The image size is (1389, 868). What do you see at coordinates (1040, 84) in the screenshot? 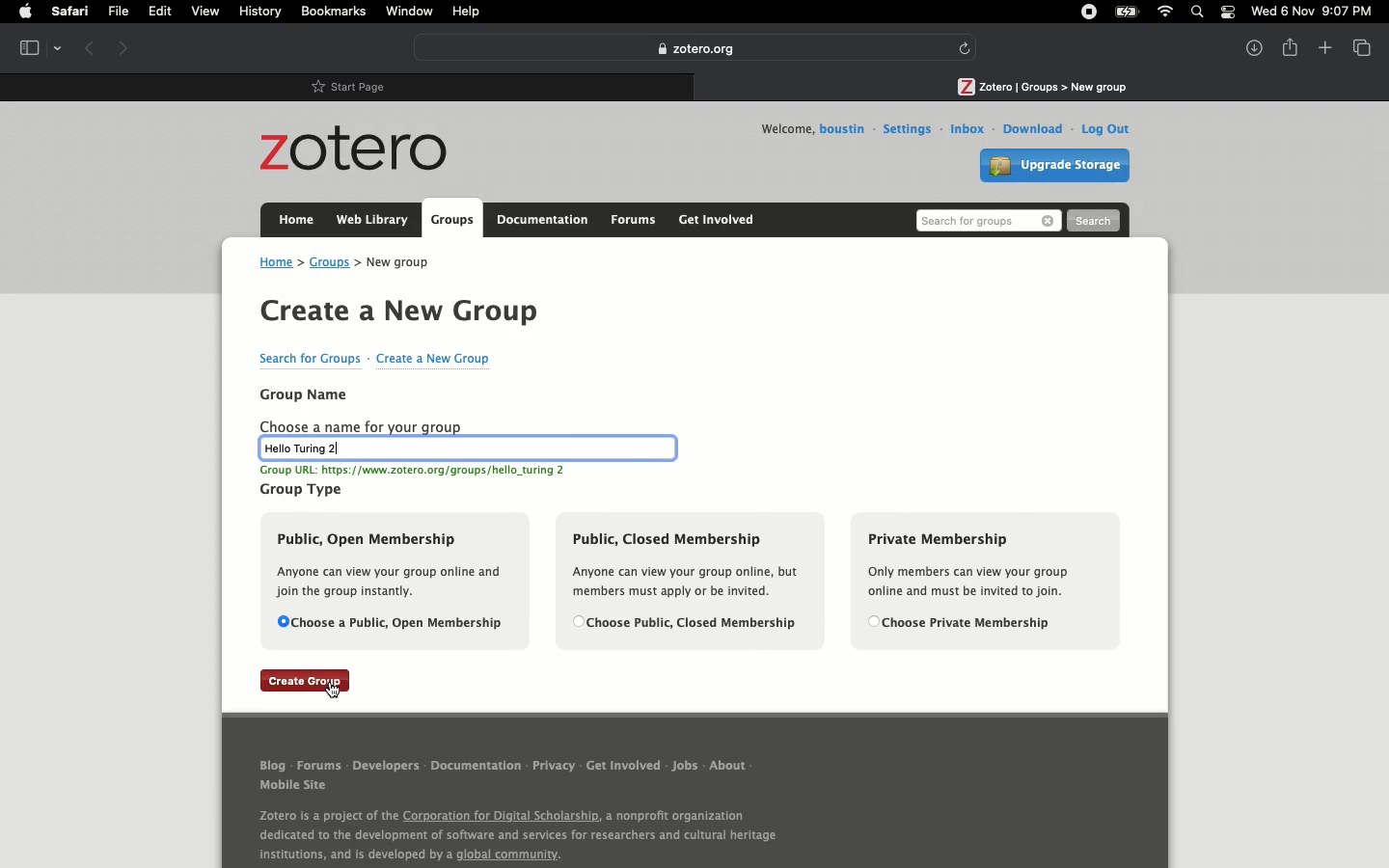
I see `Tab 2` at bounding box center [1040, 84].